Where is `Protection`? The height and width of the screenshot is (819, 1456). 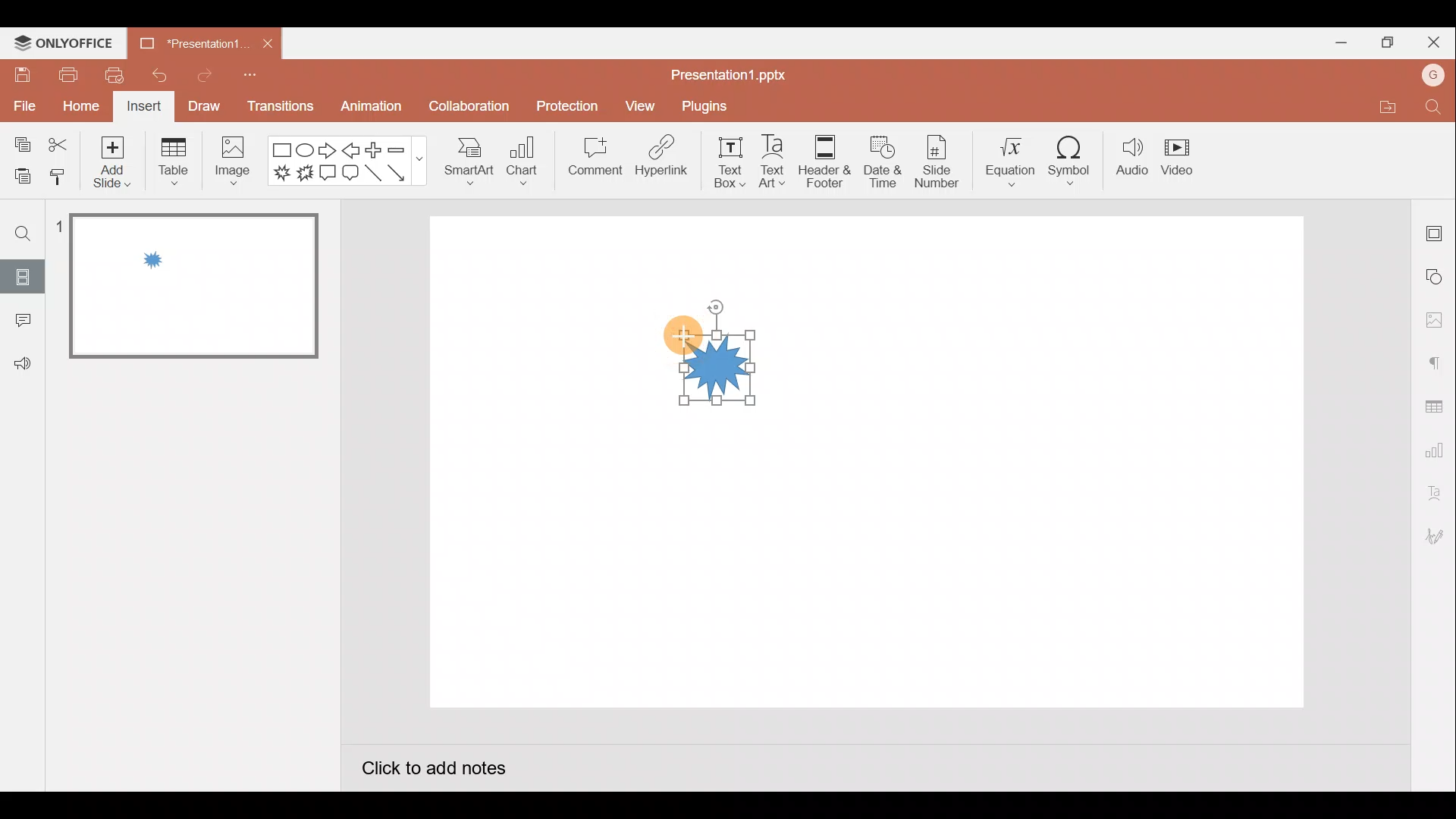
Protection is located at coordinates (566, 101).